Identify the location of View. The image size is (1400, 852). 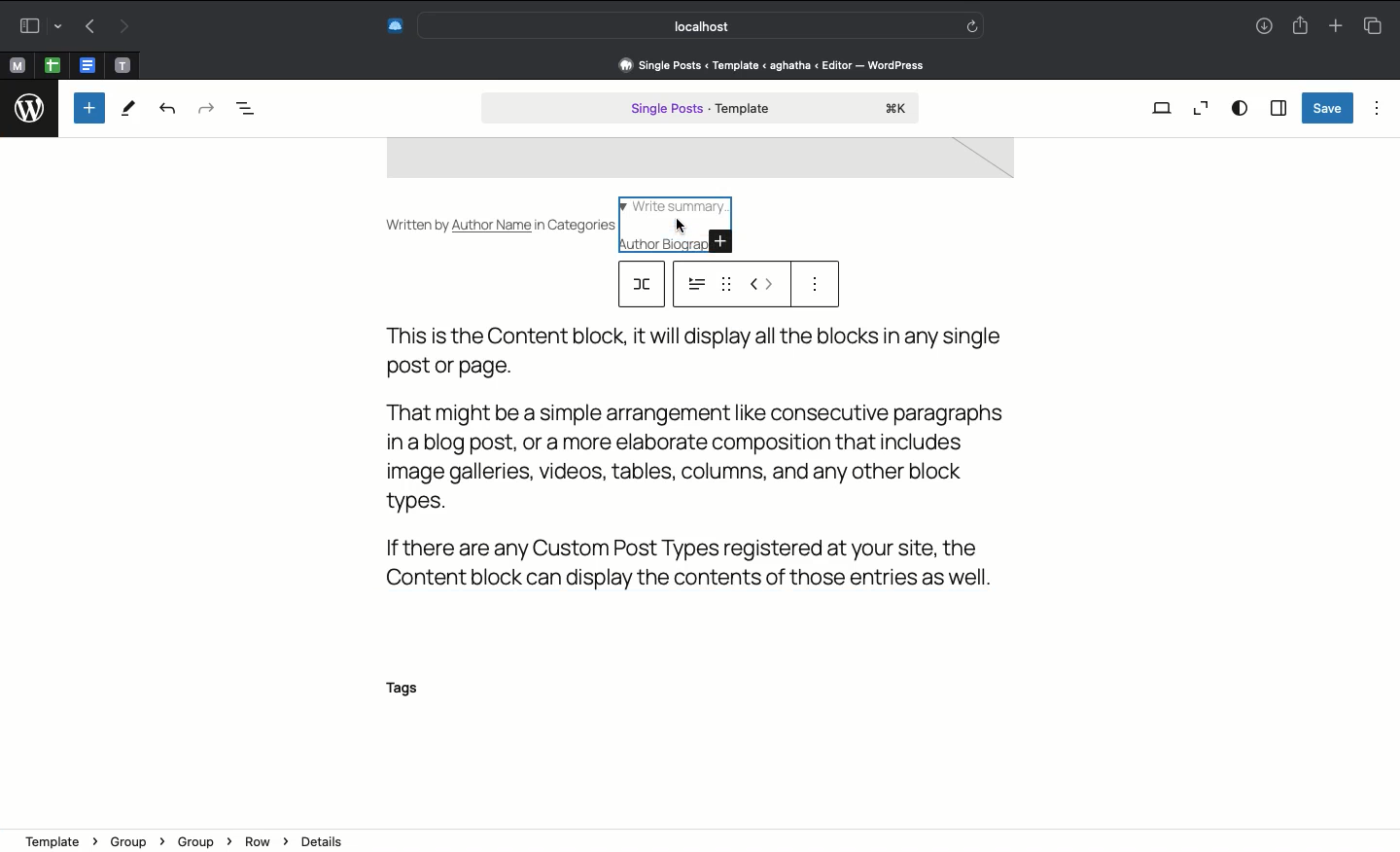
(1163, 107).